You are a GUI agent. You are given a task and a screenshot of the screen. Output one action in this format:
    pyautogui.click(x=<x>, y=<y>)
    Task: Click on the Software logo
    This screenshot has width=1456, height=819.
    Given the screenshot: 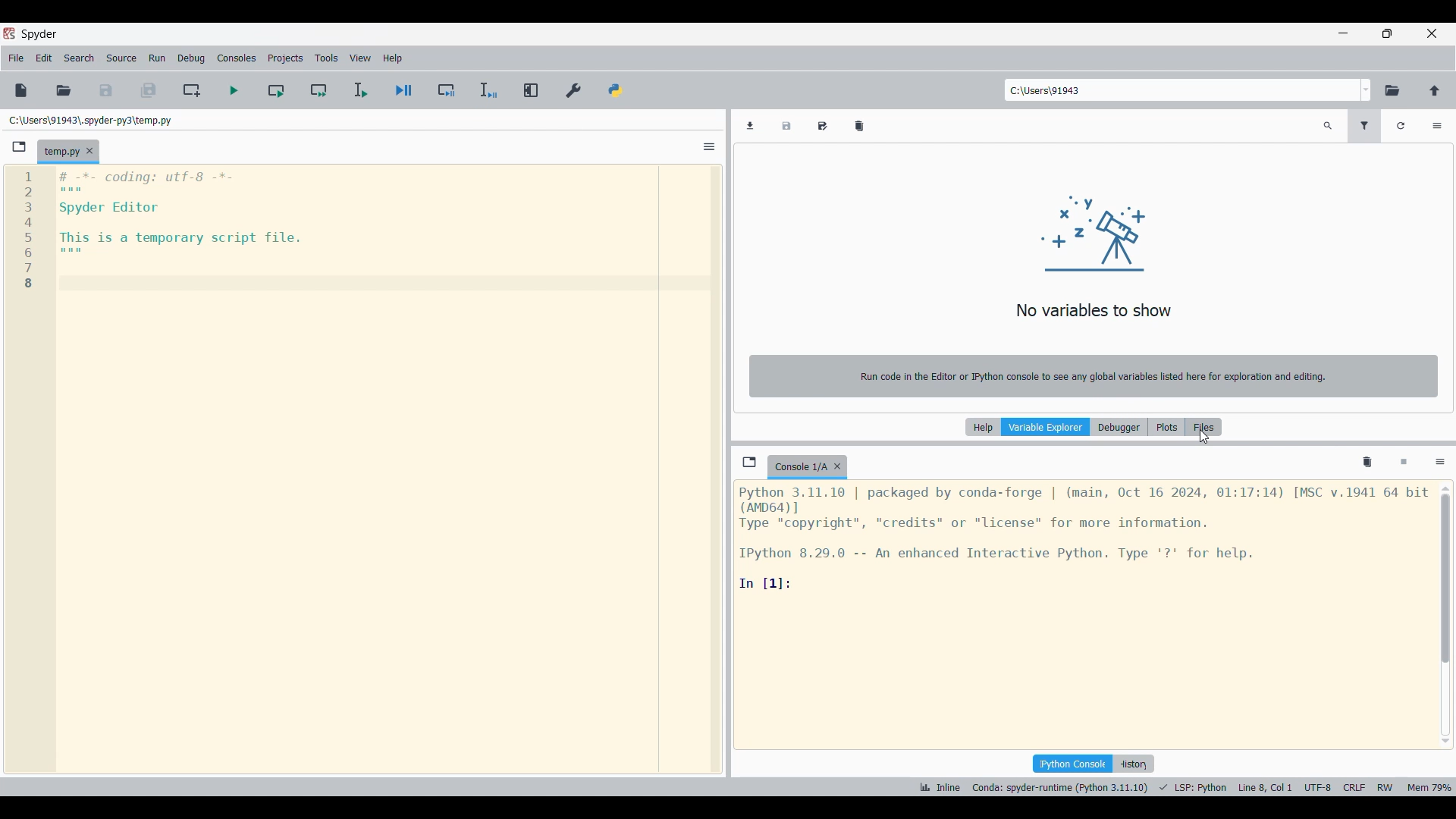 What is the action you would take?
    pyautogui.click(x=9, y=33)
    